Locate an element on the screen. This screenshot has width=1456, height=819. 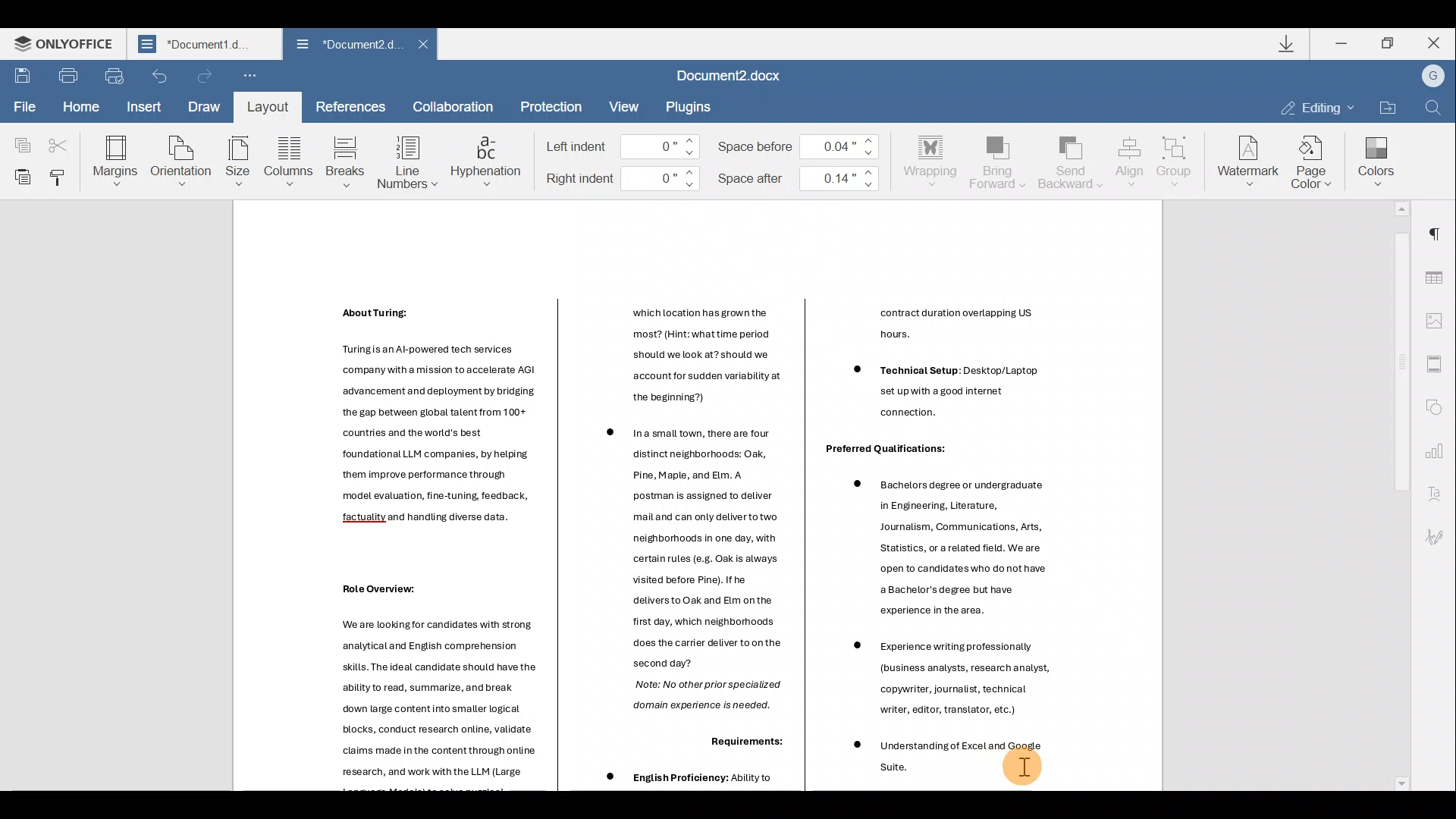
Size is located at coordinates (238, 162).